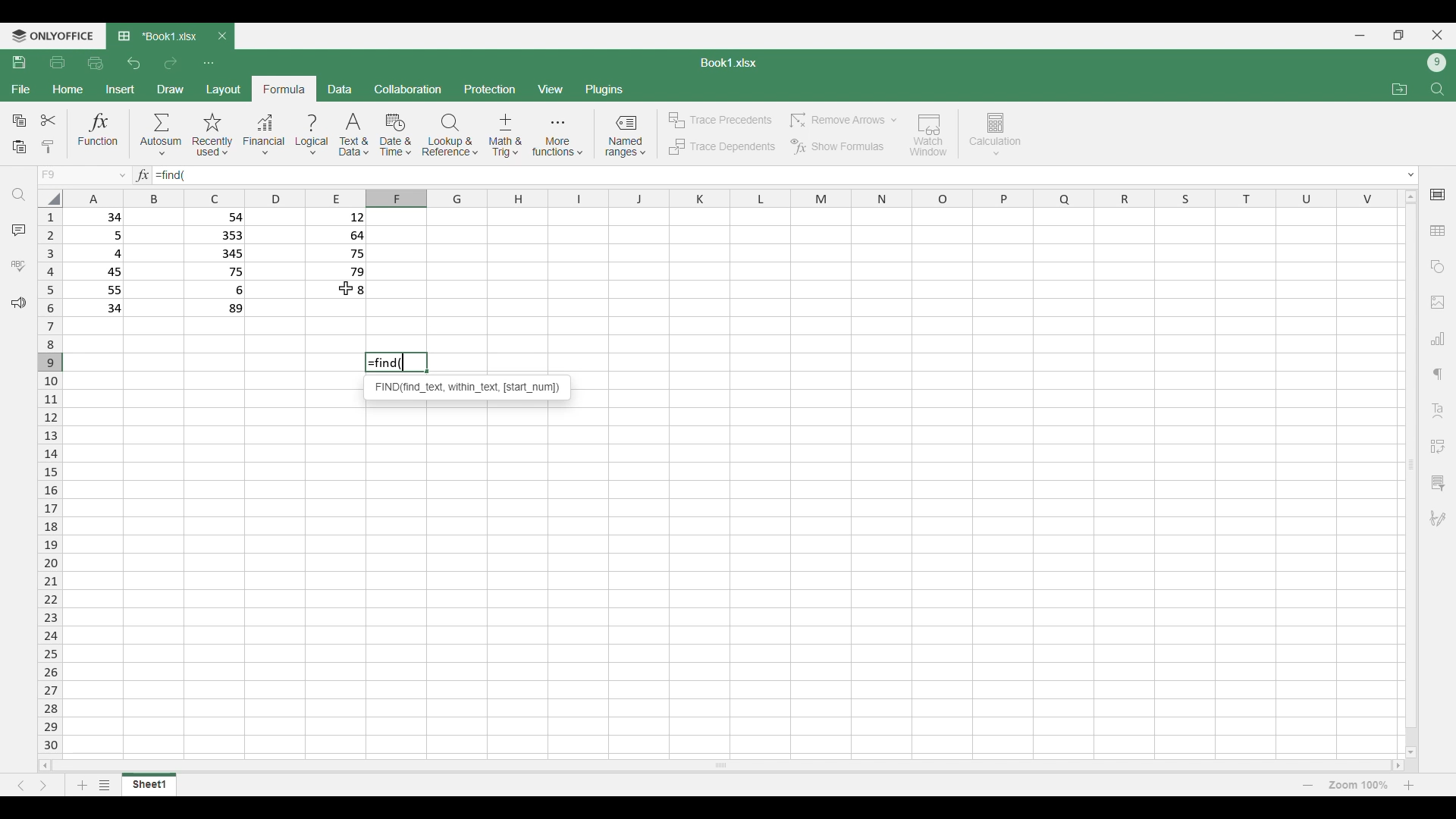 The height and width of the screenshot is (819, 1456). What do you see at coordinates (625, 136) in the screenshot?
I see `Named ranges` at bounding box center [625, 136].